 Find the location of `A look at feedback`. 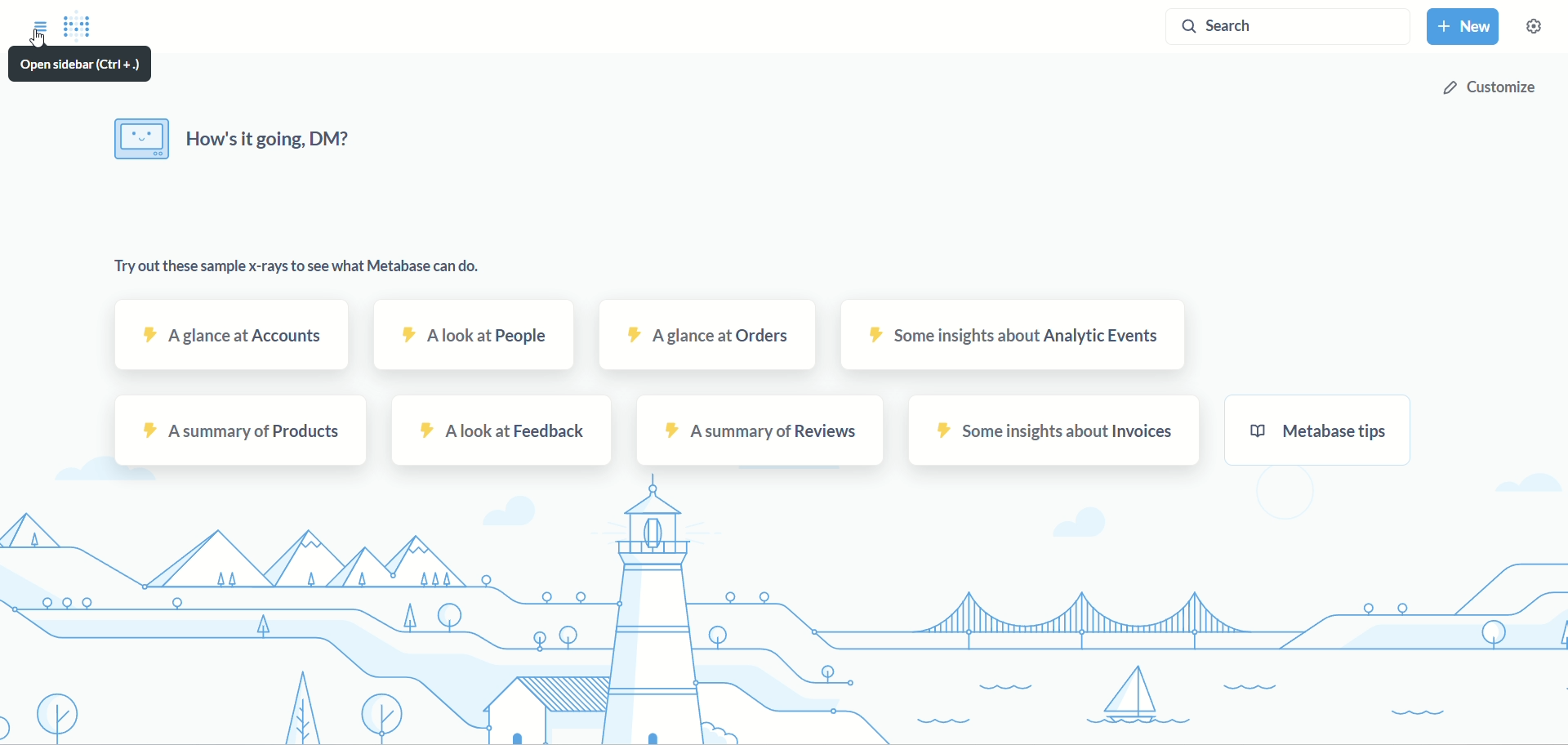

A look at feedback is located at coordinates (499, 432).